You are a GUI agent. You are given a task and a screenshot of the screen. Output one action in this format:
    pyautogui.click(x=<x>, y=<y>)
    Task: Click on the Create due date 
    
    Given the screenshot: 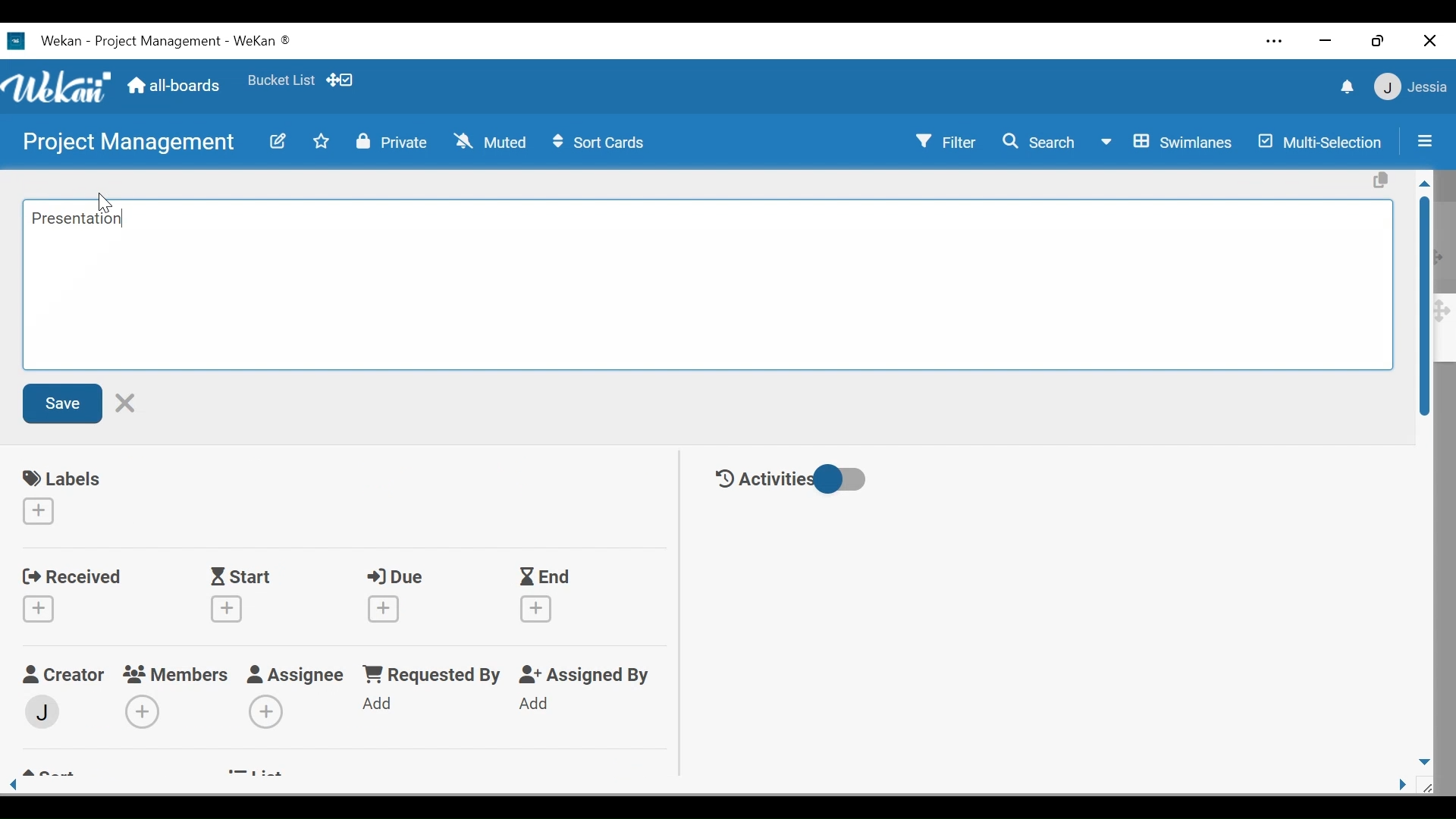 What is the action you would take?
    pyautogui.click(x=384, y=609)
    